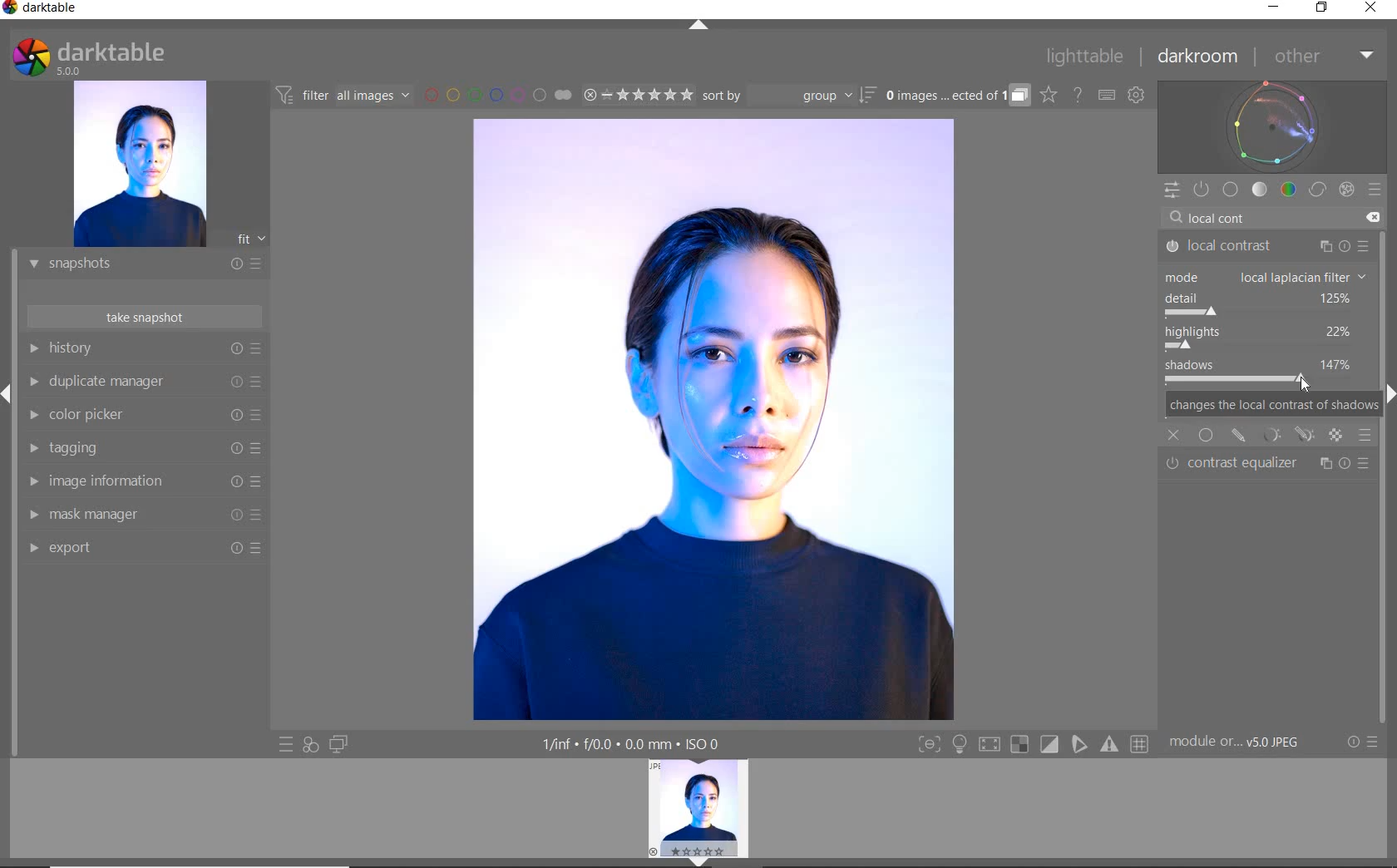 This screenshot has width=1397, height=868. I want to click on SELECTED IMAGE, so click(712, 417).